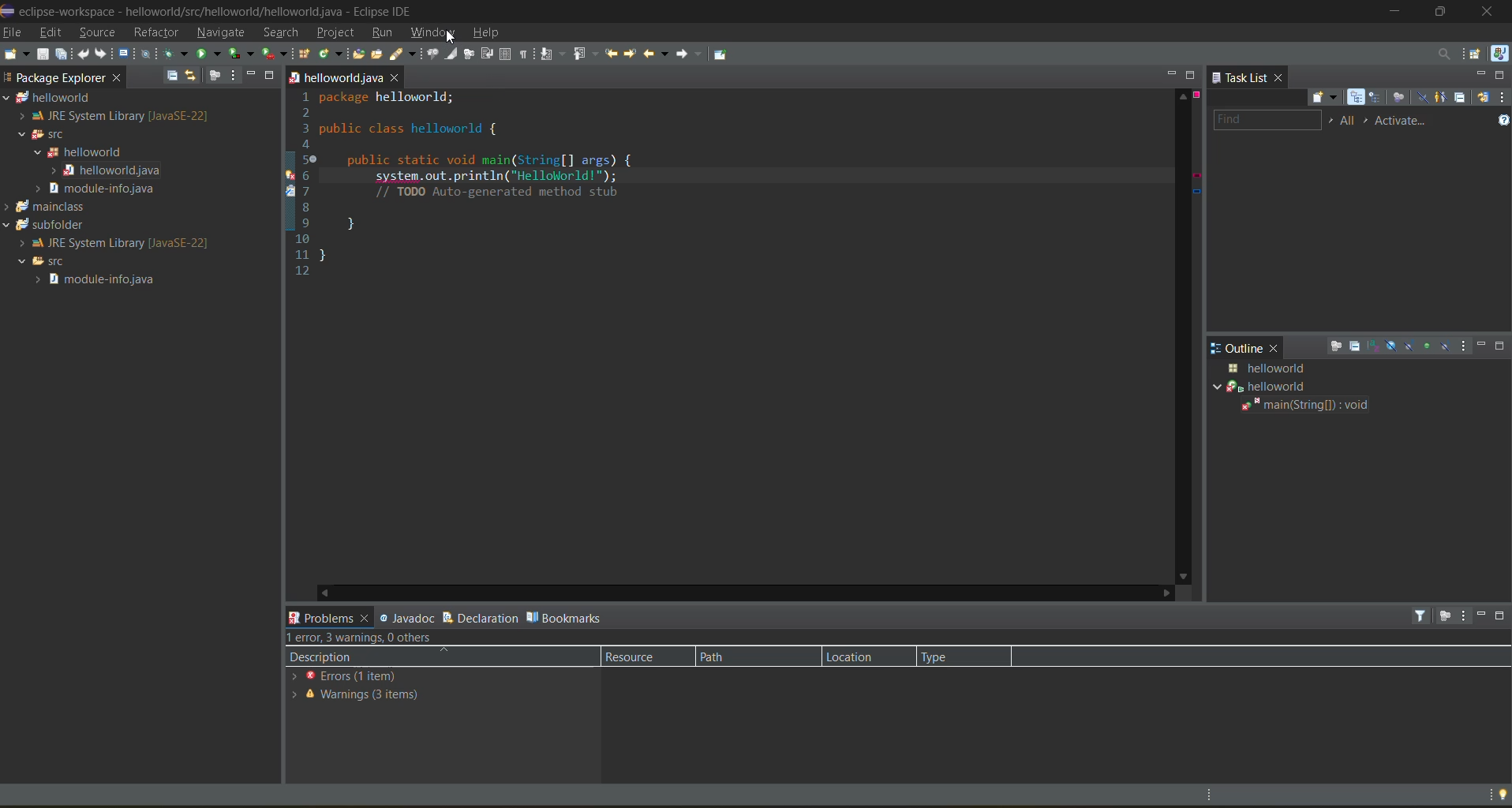 This screenshot has height=808, width=1512. Describe the element at coordinates (1474, 56) in the screenshot. I see `open perspective` at that location.